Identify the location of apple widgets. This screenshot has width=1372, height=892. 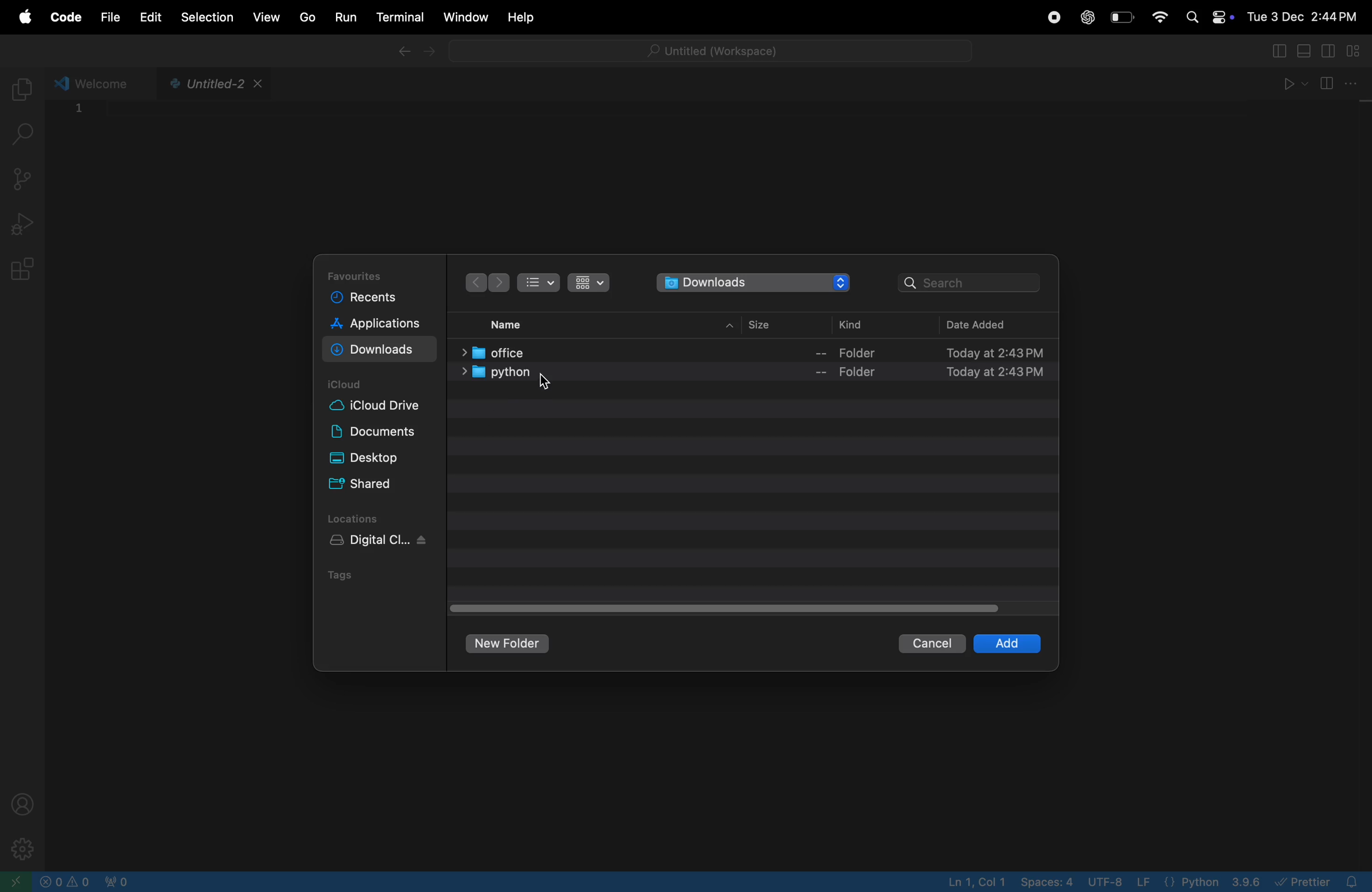
(1206, 16).